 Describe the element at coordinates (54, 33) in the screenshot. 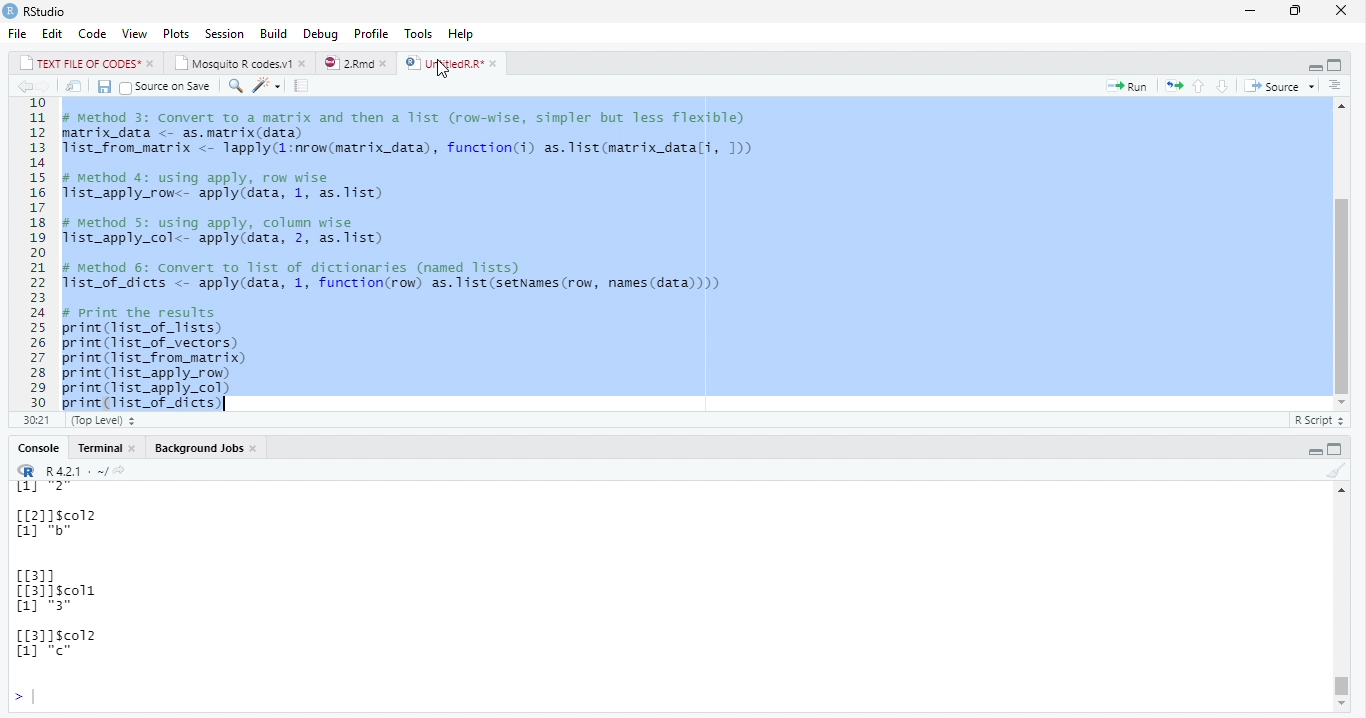

I see `Edit` at that location.